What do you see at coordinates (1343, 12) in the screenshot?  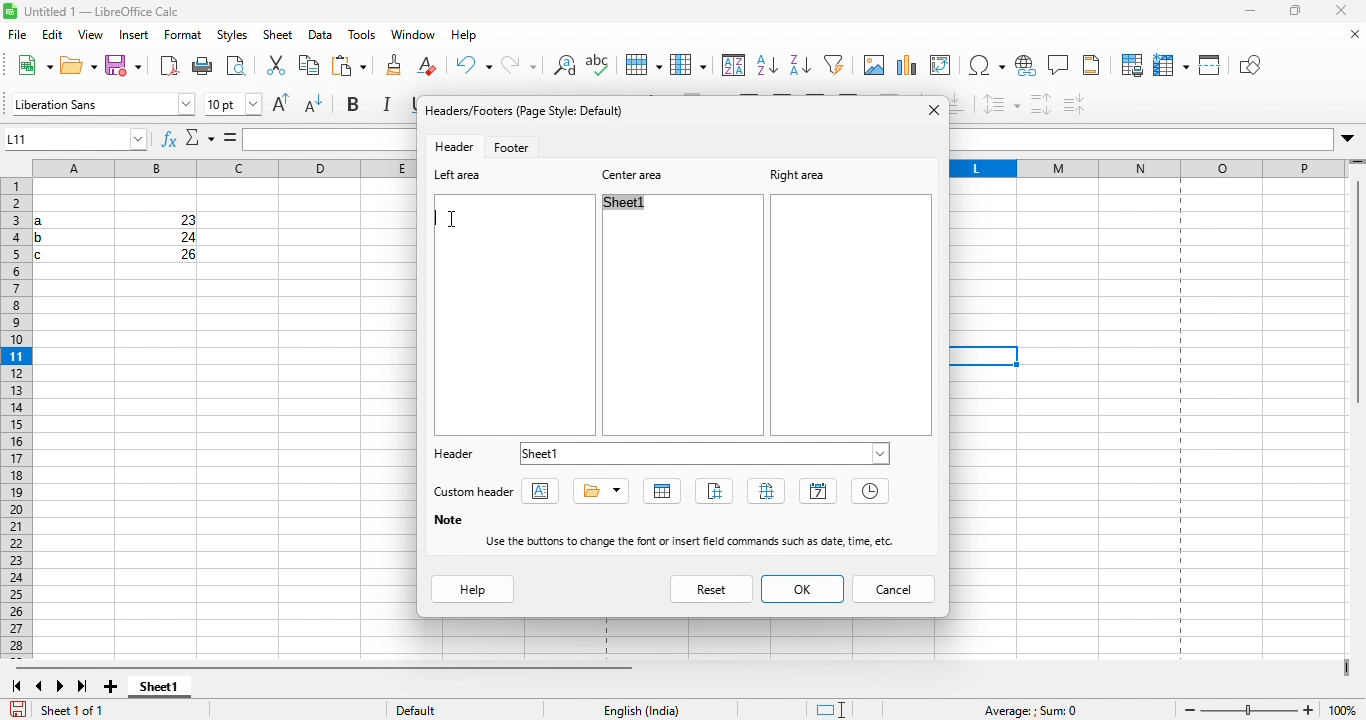 I see `close` at bounding box center [1343, 12].